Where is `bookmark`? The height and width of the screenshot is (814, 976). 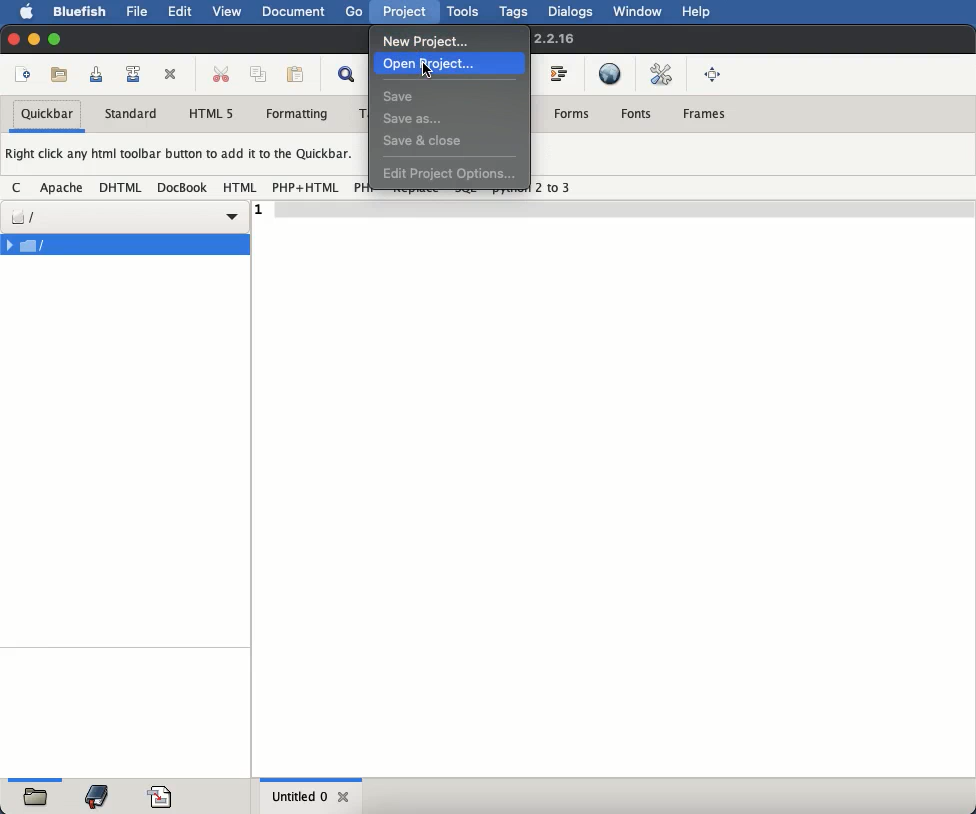 bookmark is located at coordinates (99, 796).